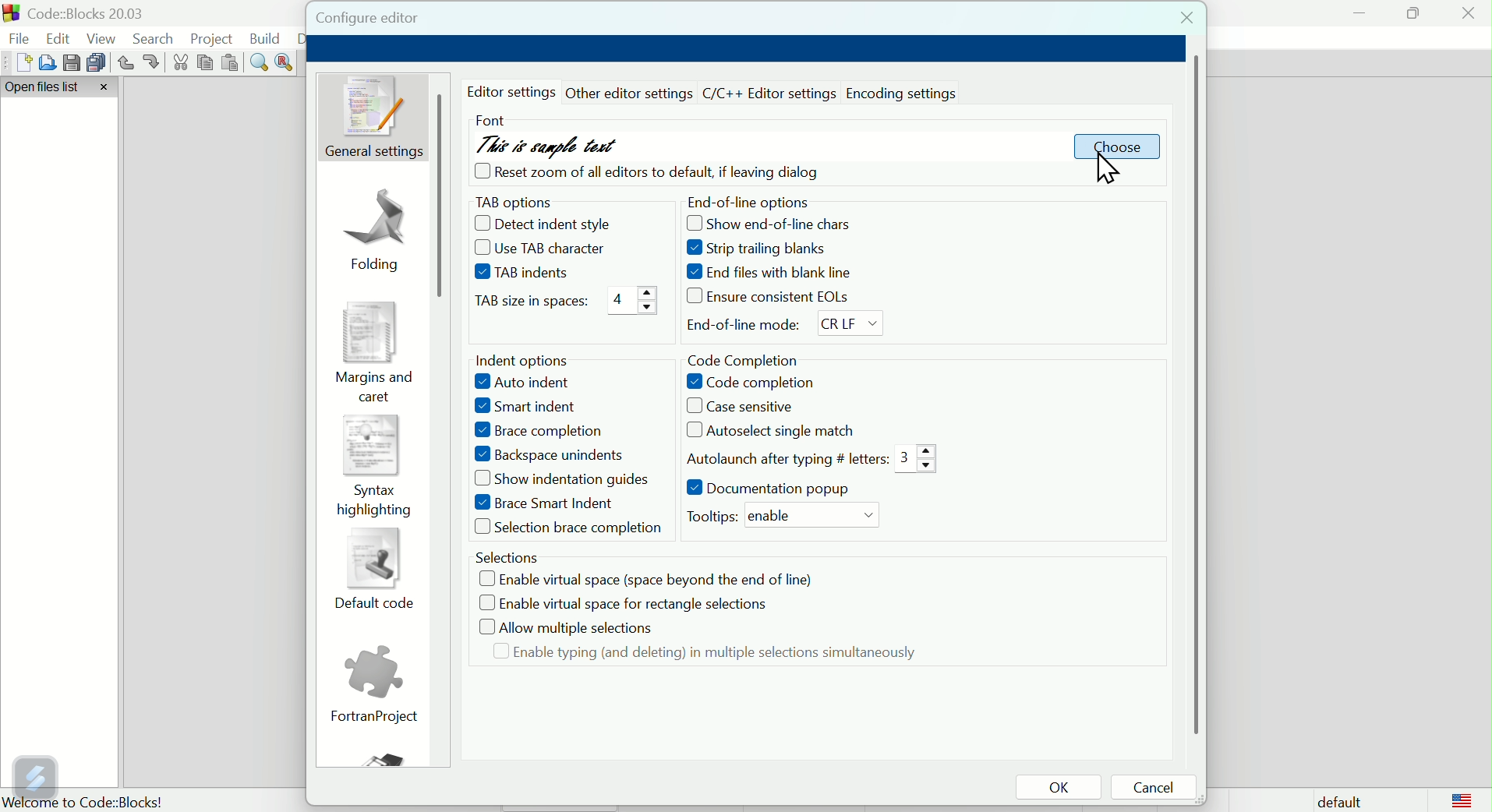 The height and width of the screenshot is (812, 1492). Describe the element at coordinates (521, 271) in the screenshot. I see `Tab Indents` at that location.